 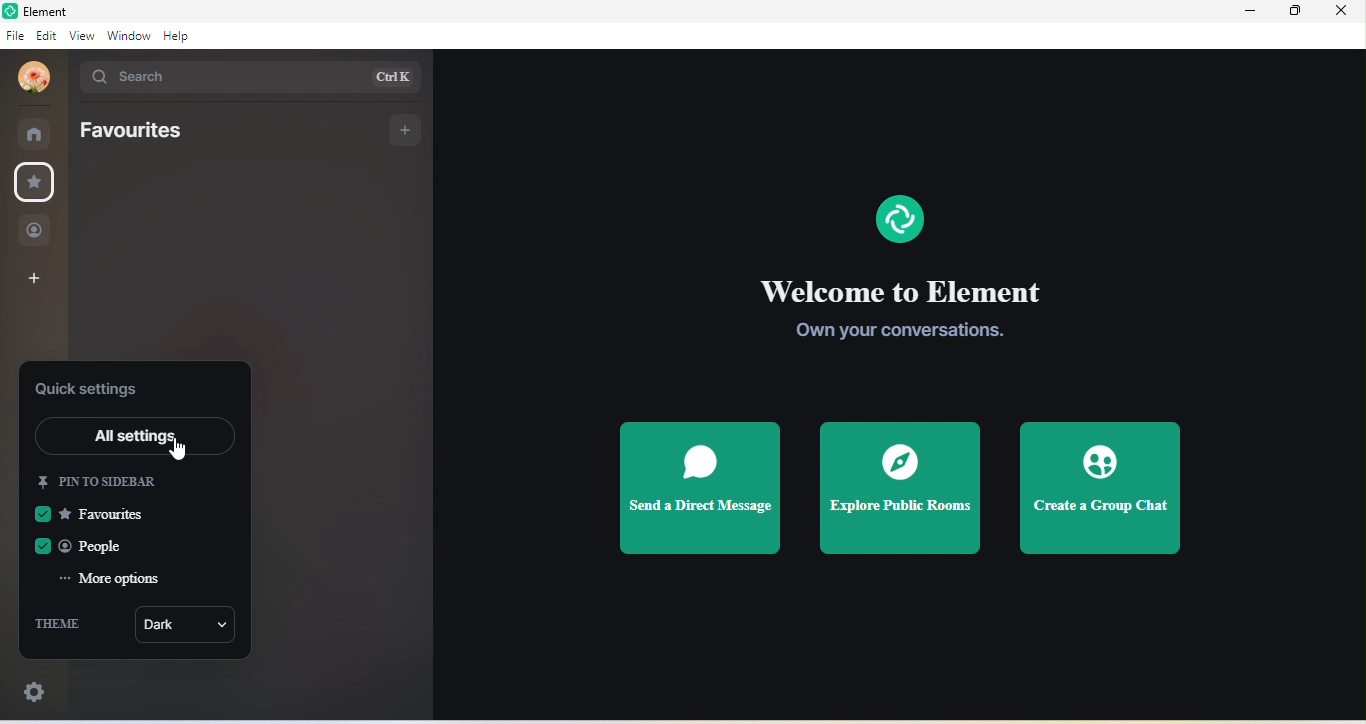 I want to click on edit, so click(x=47, y=39).